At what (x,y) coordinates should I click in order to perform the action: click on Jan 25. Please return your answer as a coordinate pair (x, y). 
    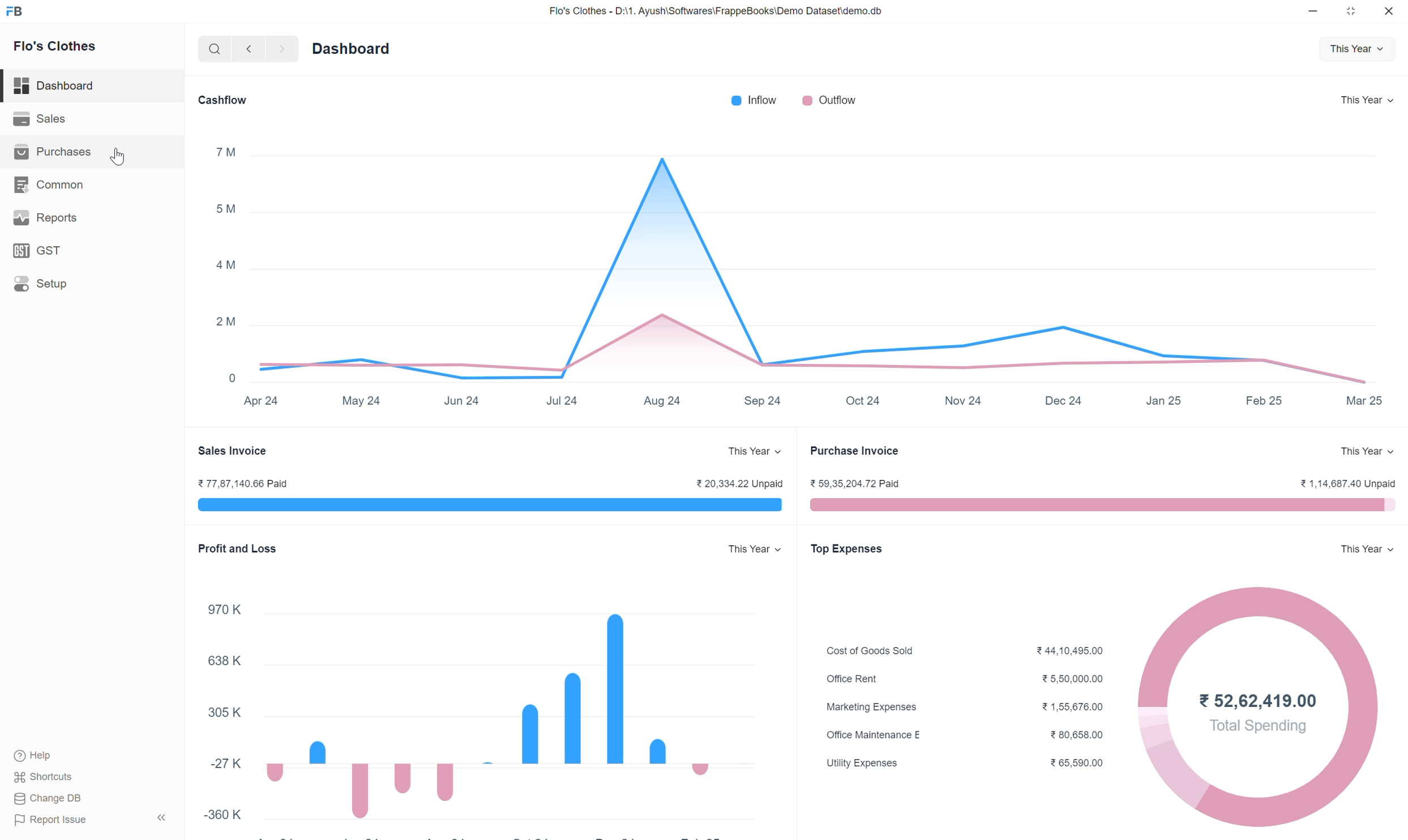
    Looking at the image, I should click on (1164, 400).